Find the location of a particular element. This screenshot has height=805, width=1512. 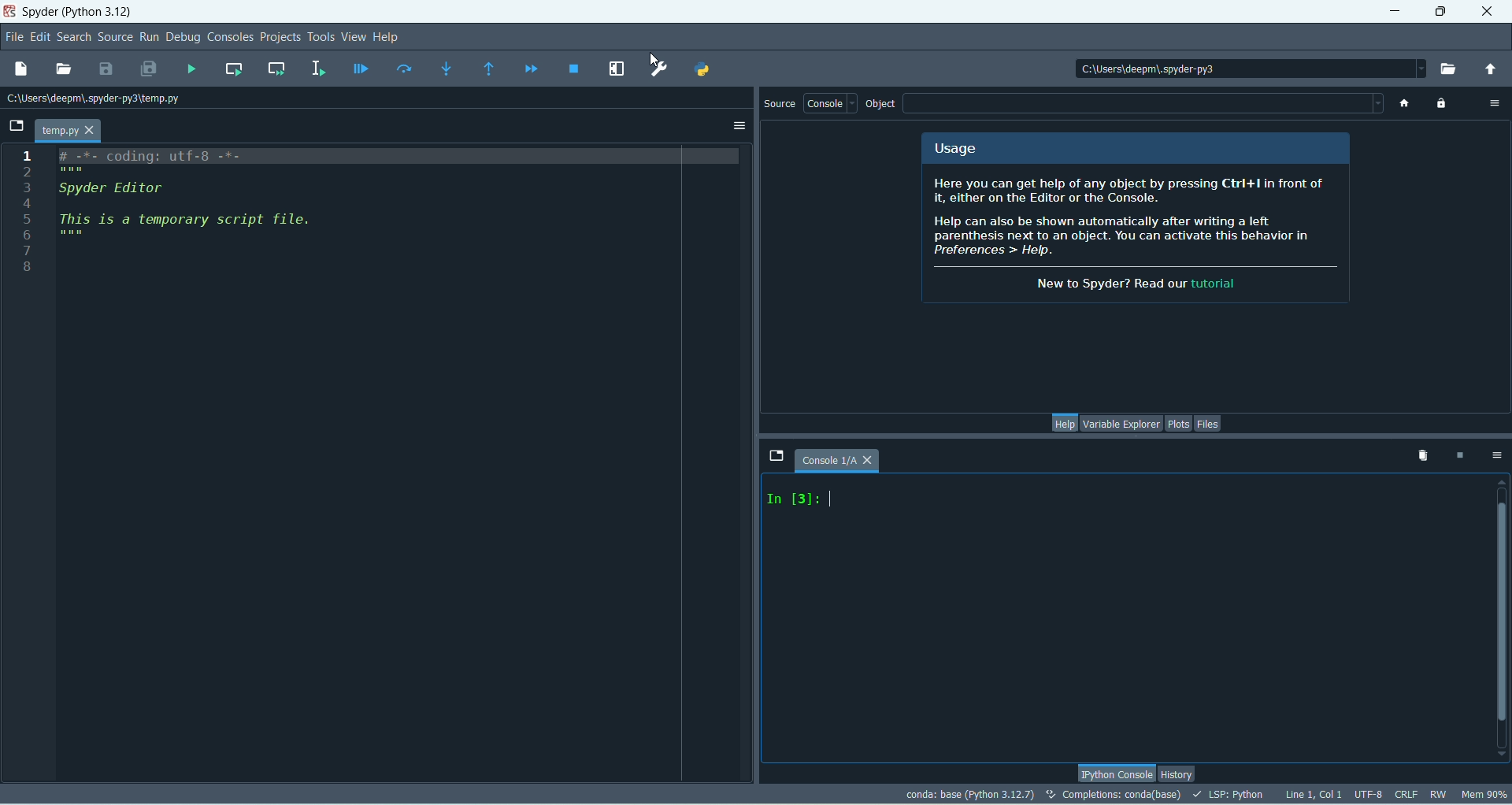

browse working directory is located at coordinates (1453, 70).